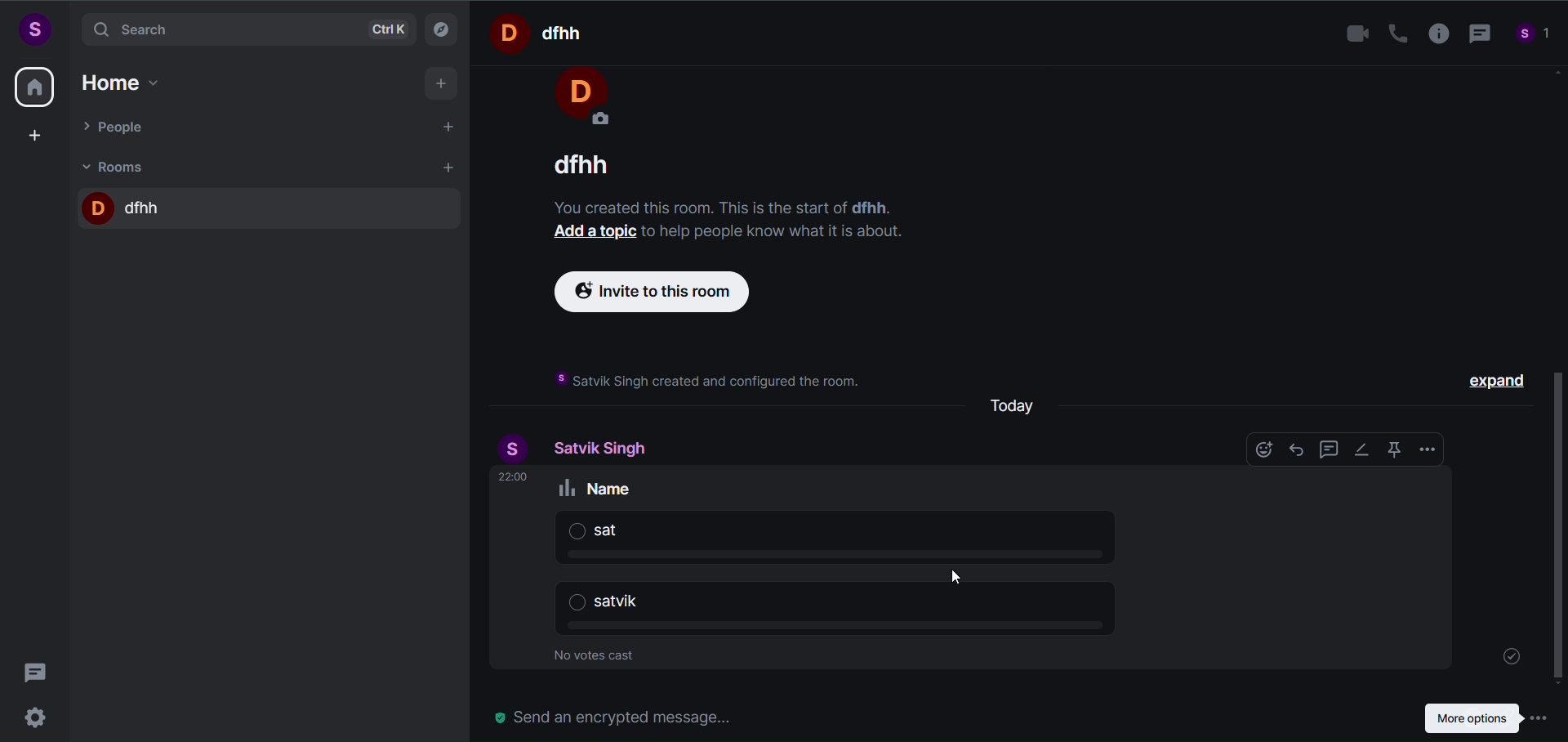  I want to click on Expand, so click(1494, 379).